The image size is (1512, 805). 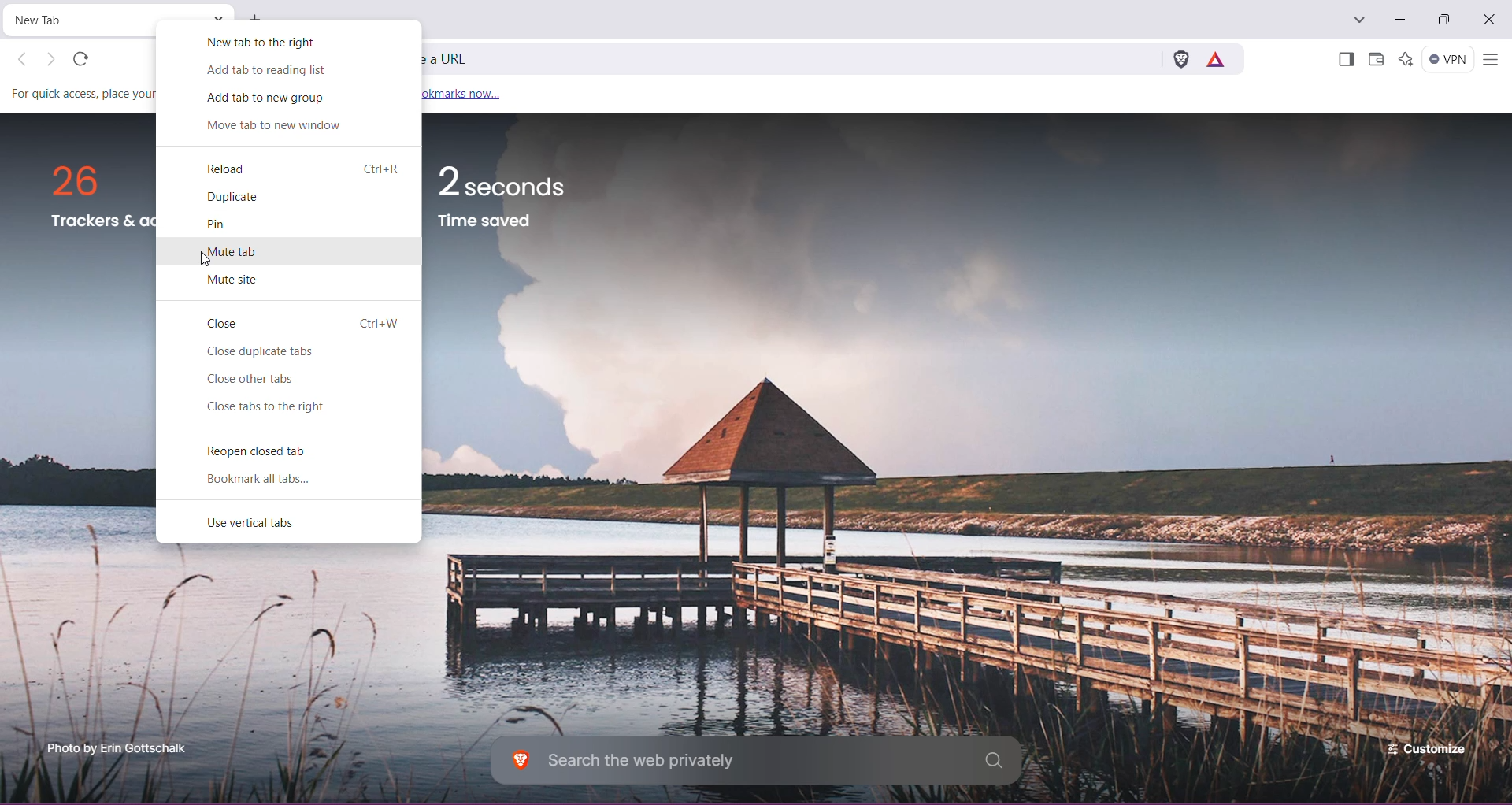 I want to click on Cursor, so click(x=161, y=24).